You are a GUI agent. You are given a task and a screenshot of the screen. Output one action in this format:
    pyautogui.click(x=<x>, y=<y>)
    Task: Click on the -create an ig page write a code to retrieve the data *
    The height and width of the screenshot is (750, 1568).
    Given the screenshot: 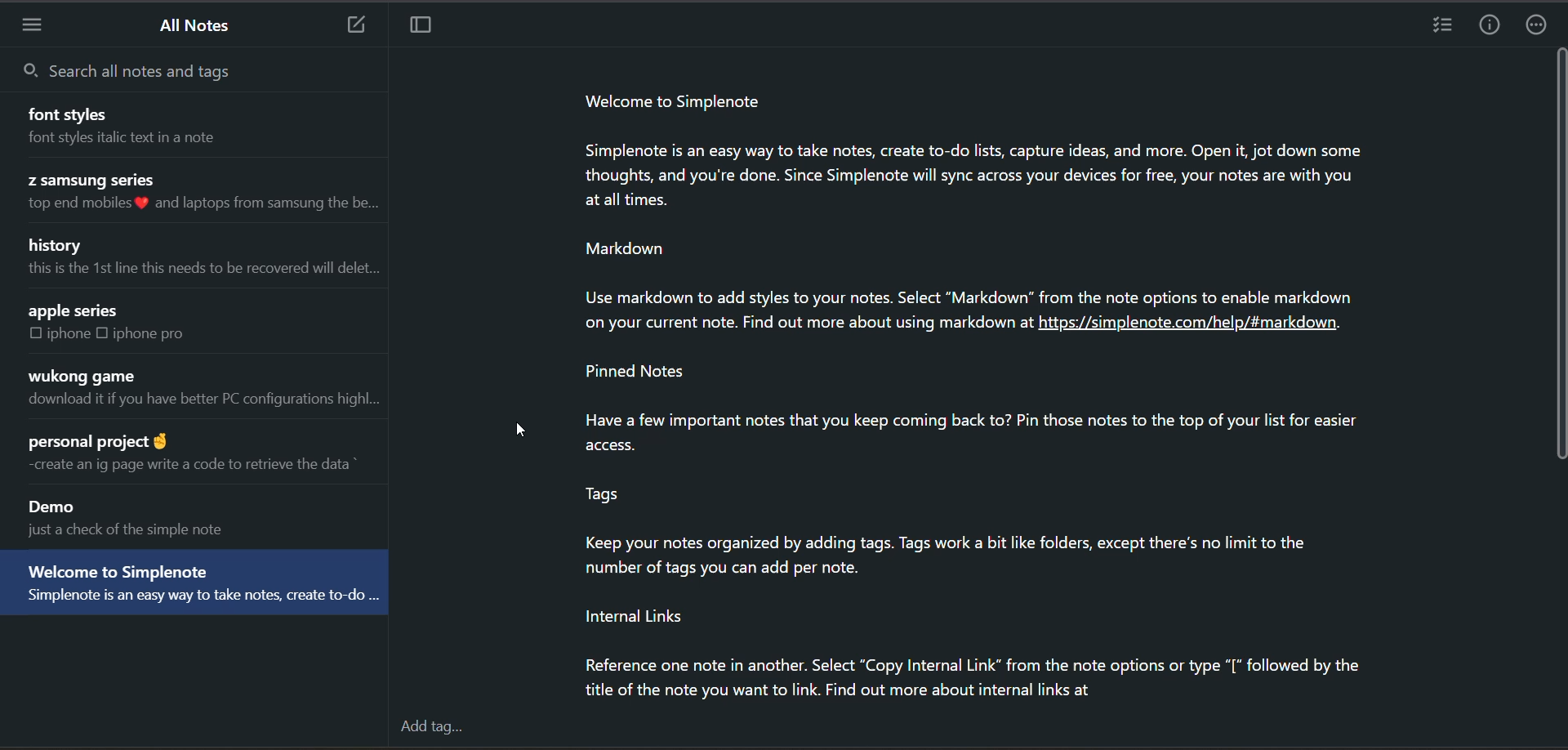 What is the action you would take?
    pyautogui.click(x=199, y=471)
    